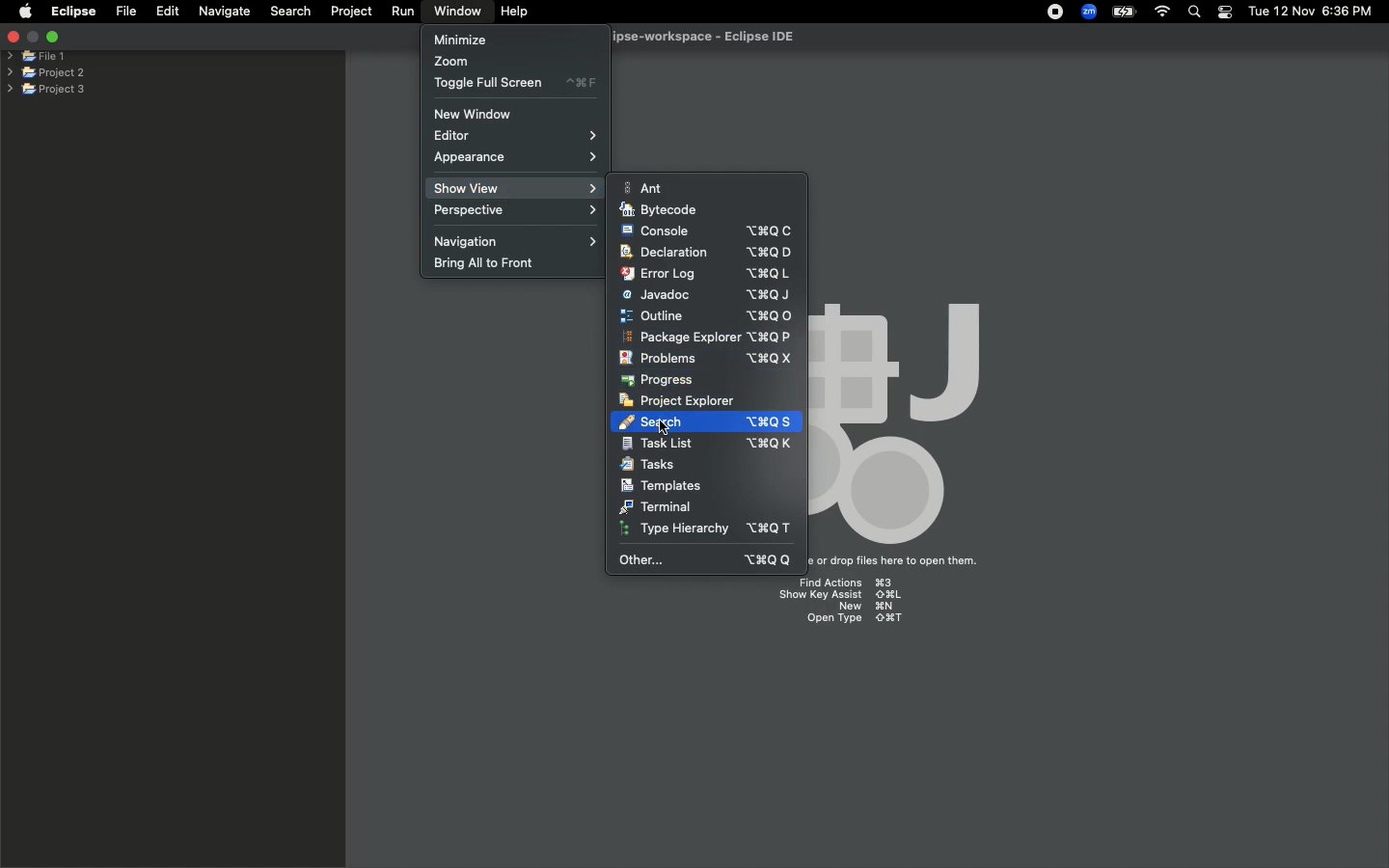 This screenshot has width=1389, height=868. What do you see at coordinates (168, 12) in the screenshot?
I see `Edit` at bounding box center [168, 12].